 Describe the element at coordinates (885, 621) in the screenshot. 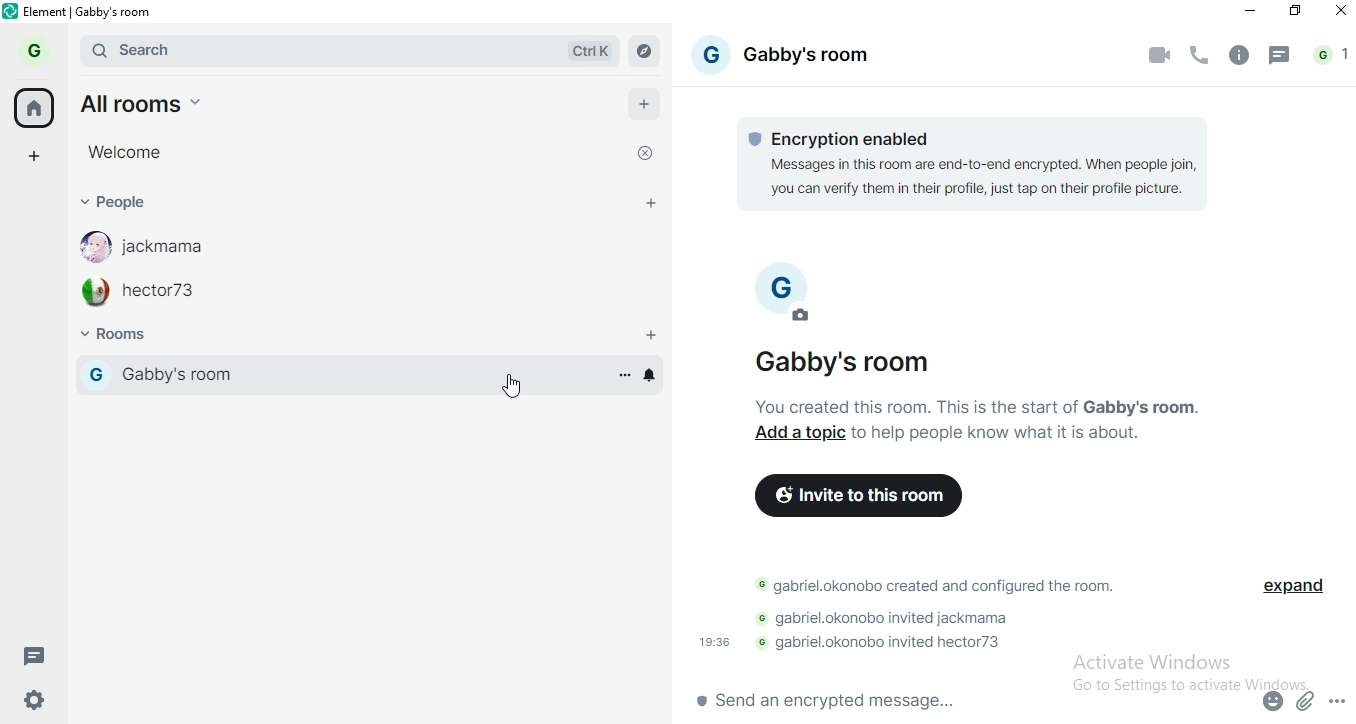

I see `text 4` at that location.